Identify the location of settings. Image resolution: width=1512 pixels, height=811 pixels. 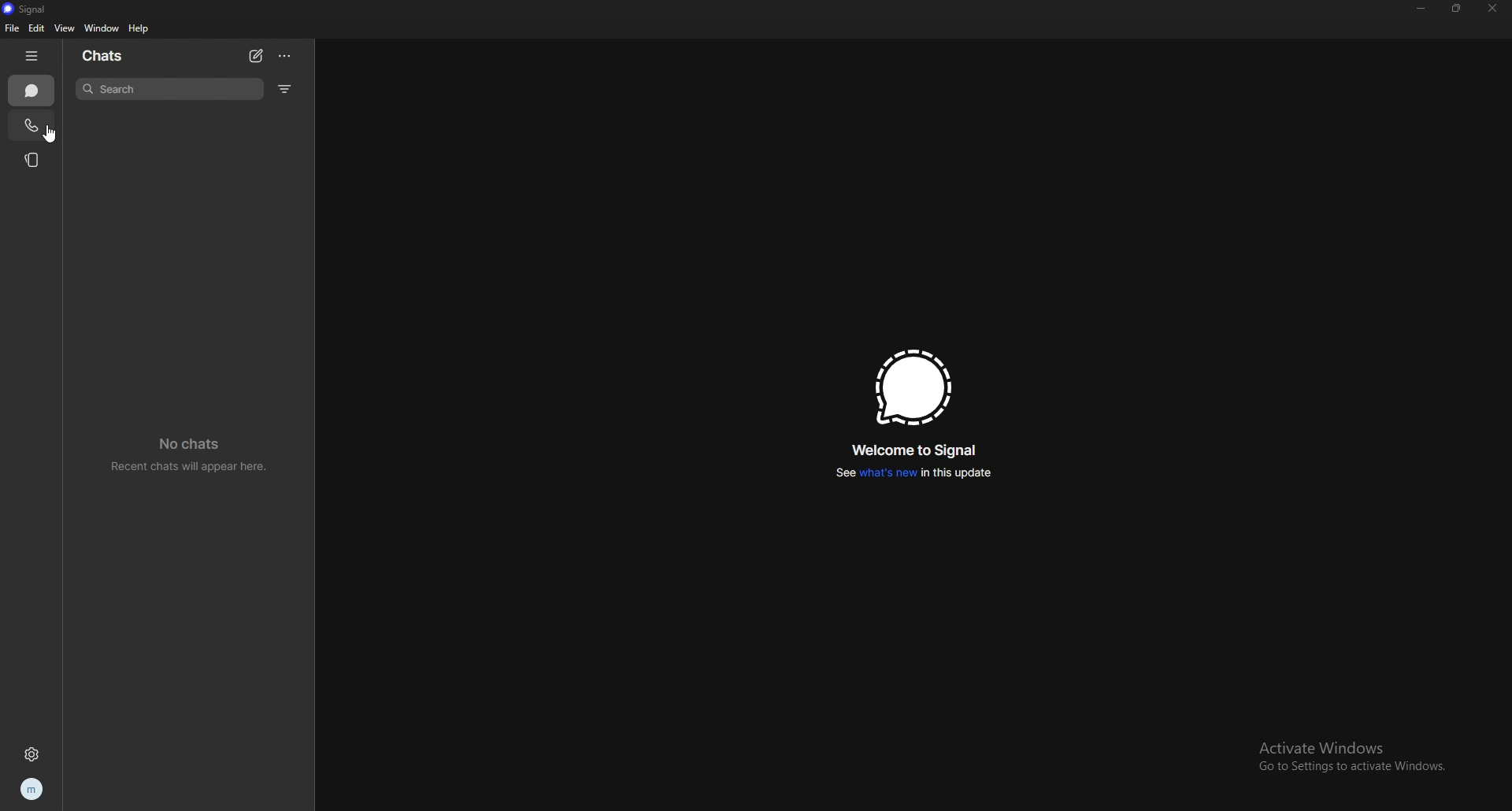
(31, 754).